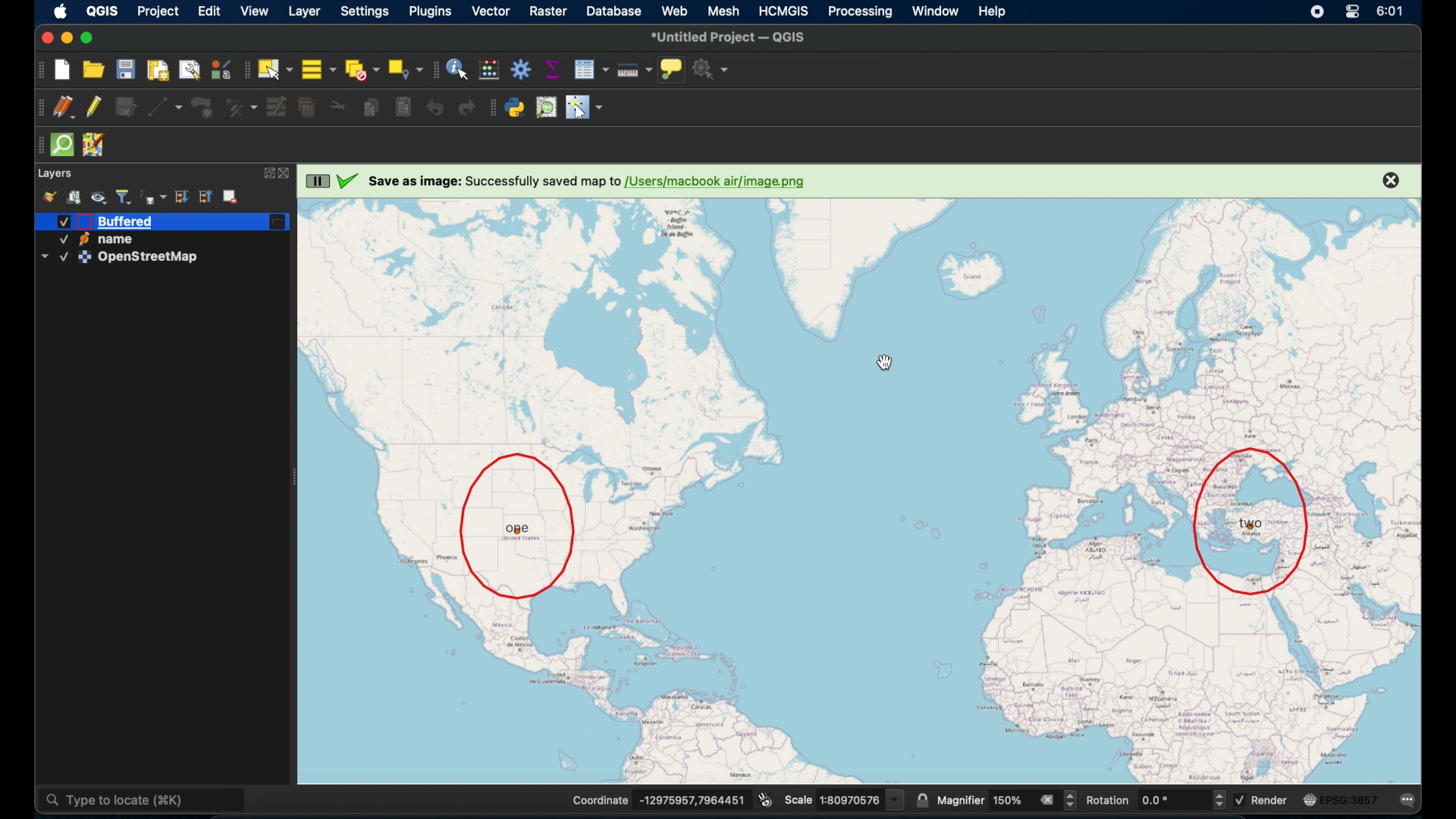 Image resolution: width=1456 pixels, height=819 pixels. What do you see at coordinates (406, 68) in the screenshot?
I see `select by location` at bounding box center [406, 68].